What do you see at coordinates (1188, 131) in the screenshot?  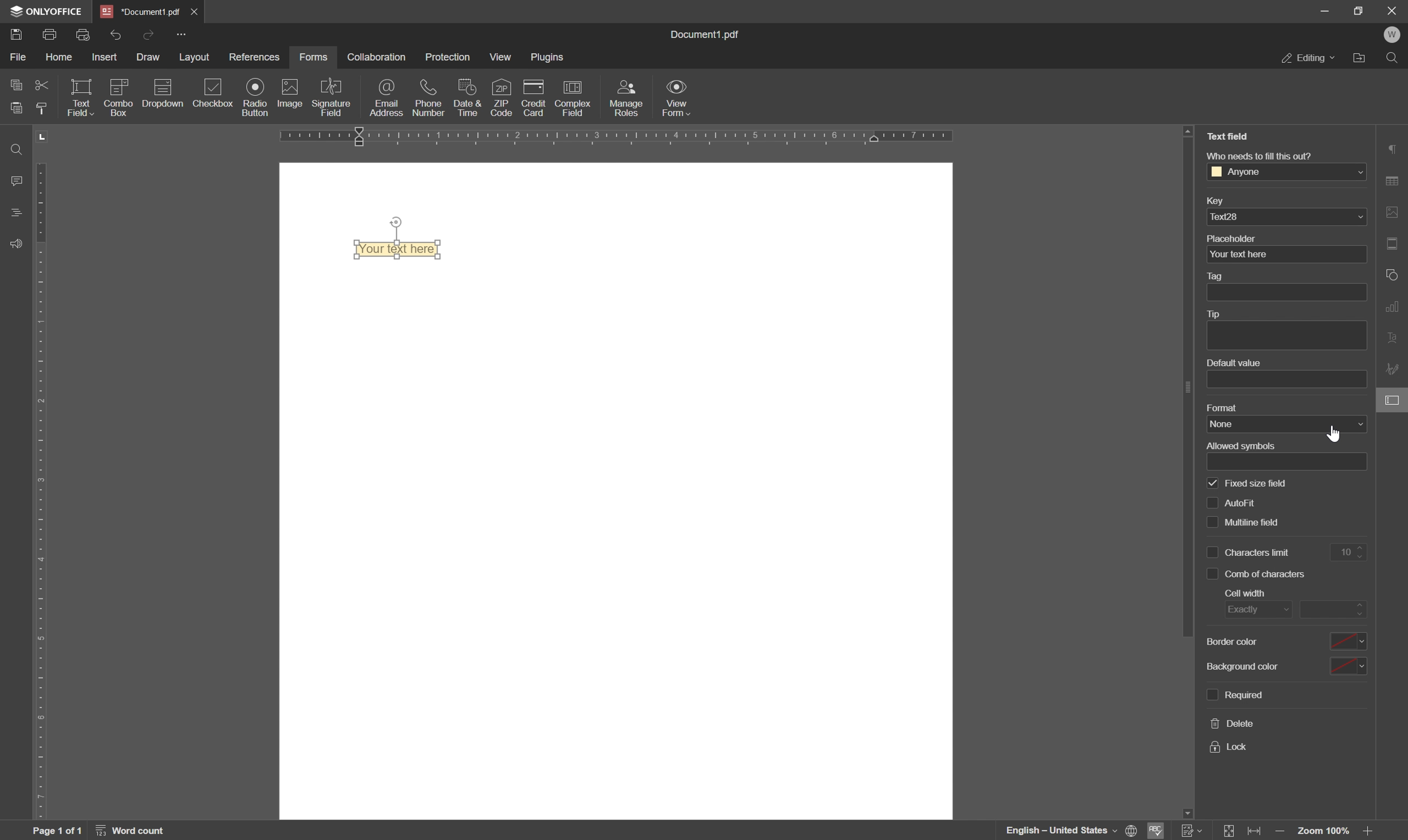 I see `scroll up` at bounding box center [1188, 131].